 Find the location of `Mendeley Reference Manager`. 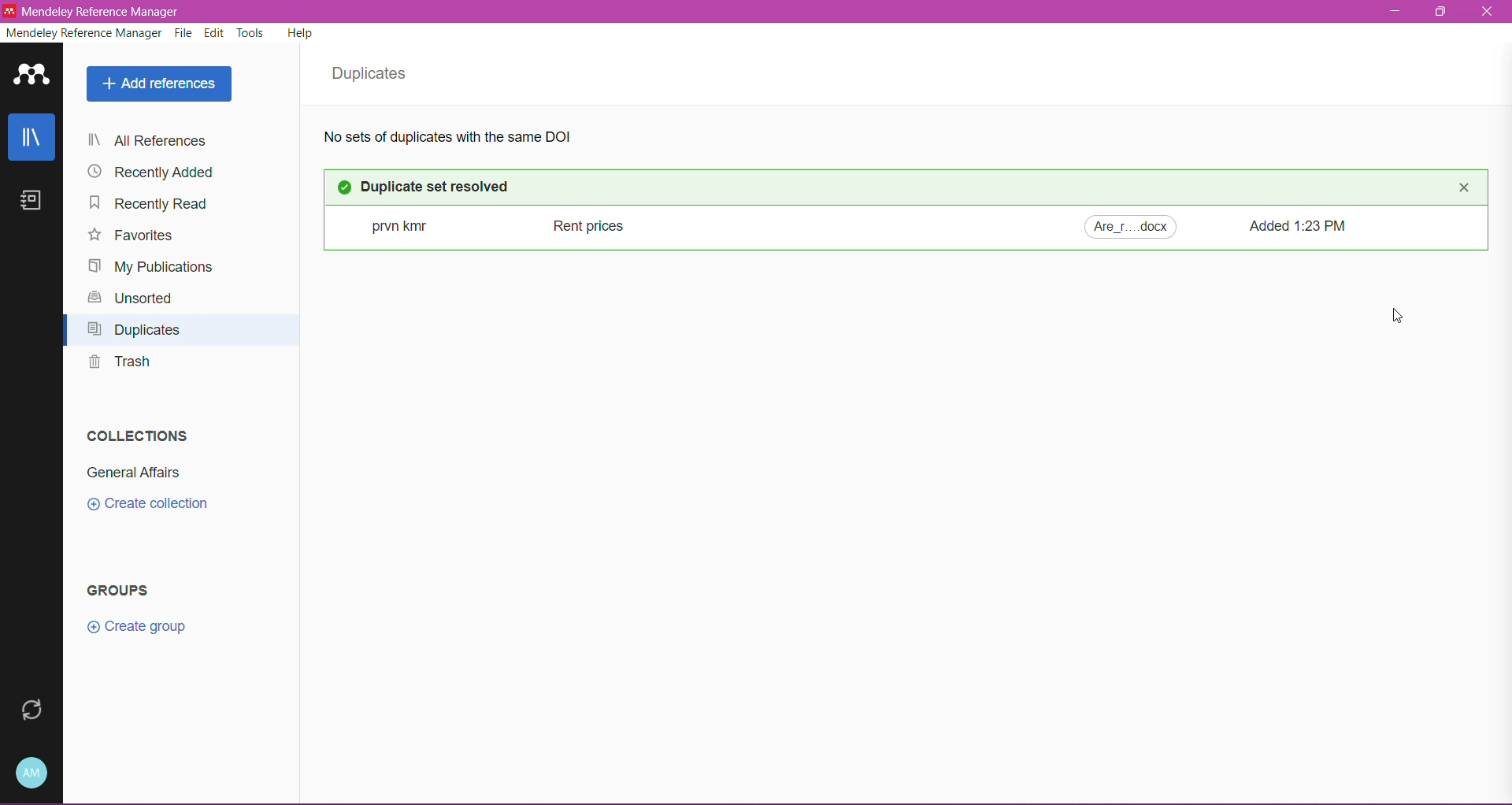

Mendeley Reference Manager is located at coordinates (83, 35).